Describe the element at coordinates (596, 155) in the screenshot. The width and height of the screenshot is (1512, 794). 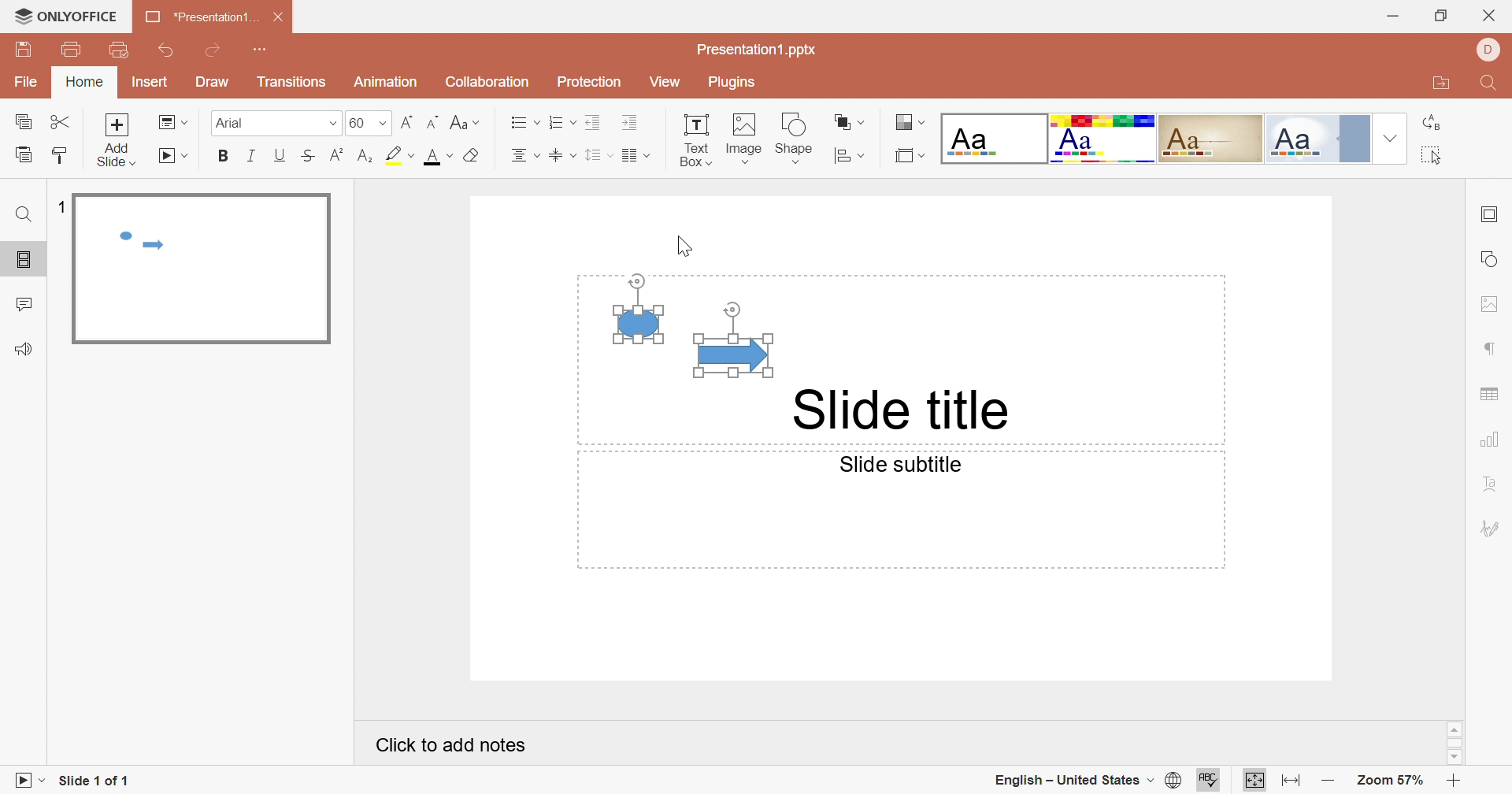
I see `Line spacing` at that location.